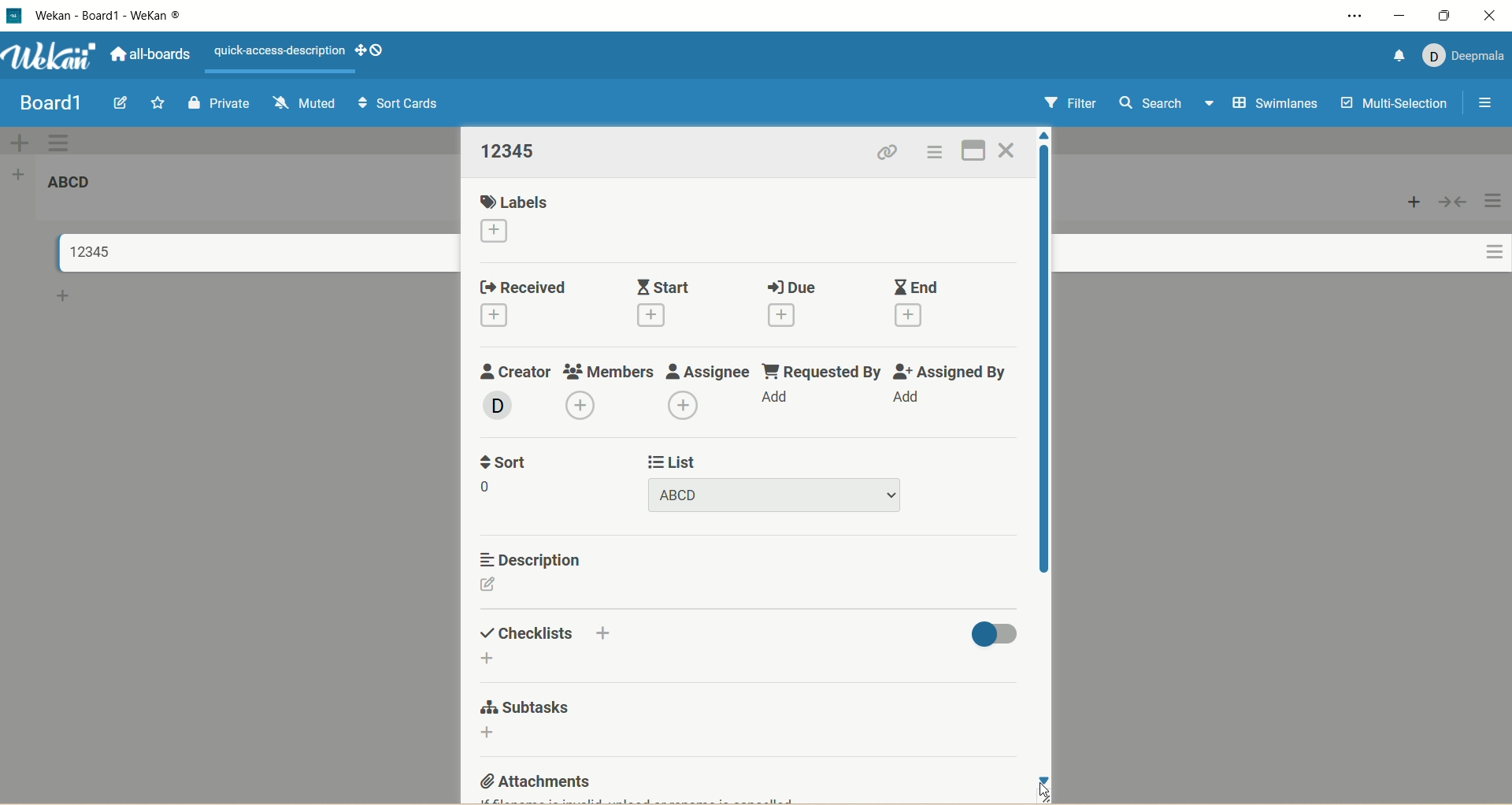  Describe the element at coordinates (1043, 380) in the screenshot. I see `vertical scroll bar` at that location.